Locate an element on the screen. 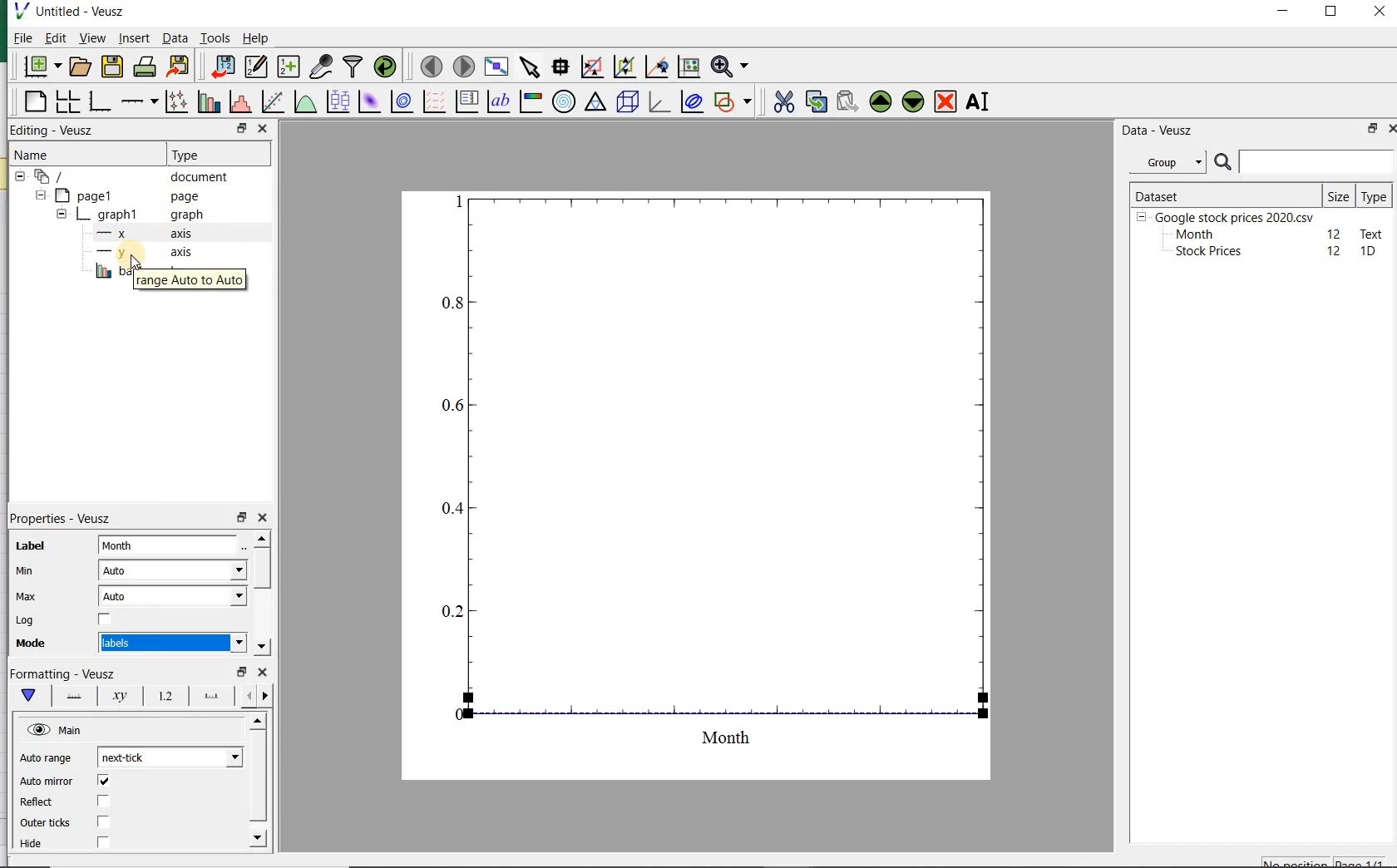 The height and width of the screenshot is (868, 1397). Editing - Veusz is located at coordinates (54, 131).